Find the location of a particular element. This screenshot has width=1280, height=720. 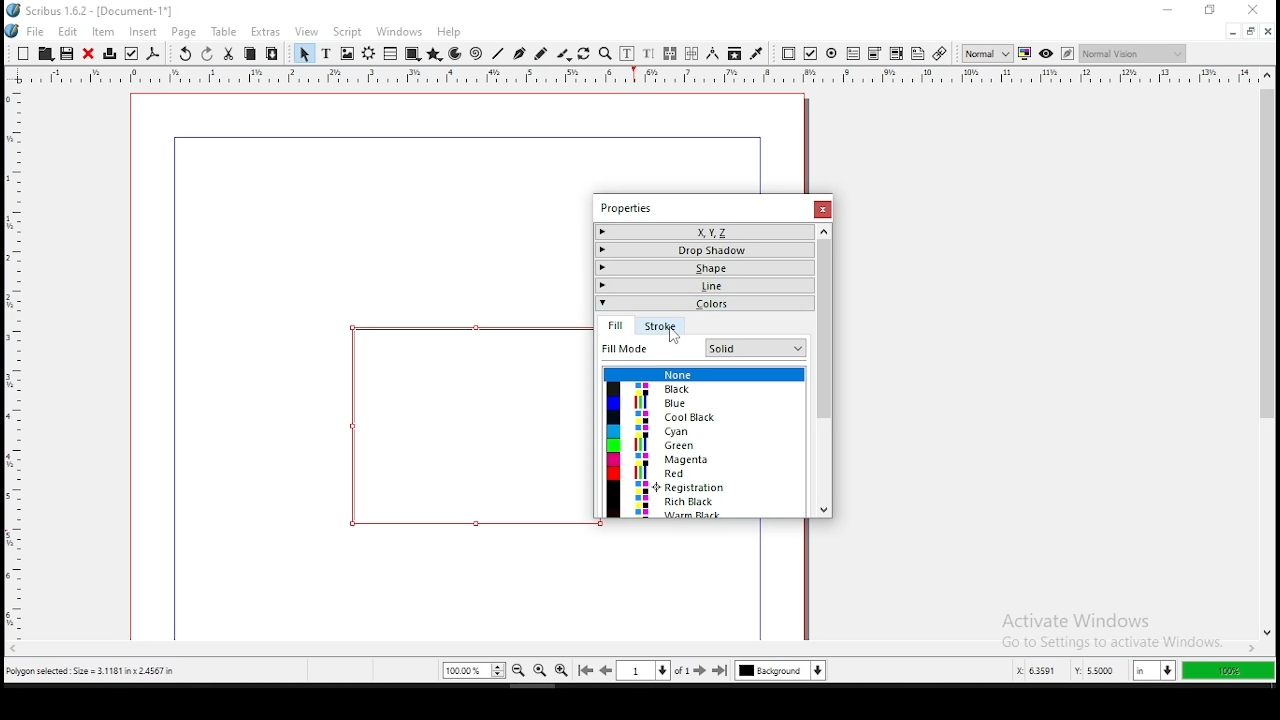

go to last page is located at coordinates (722, 671).